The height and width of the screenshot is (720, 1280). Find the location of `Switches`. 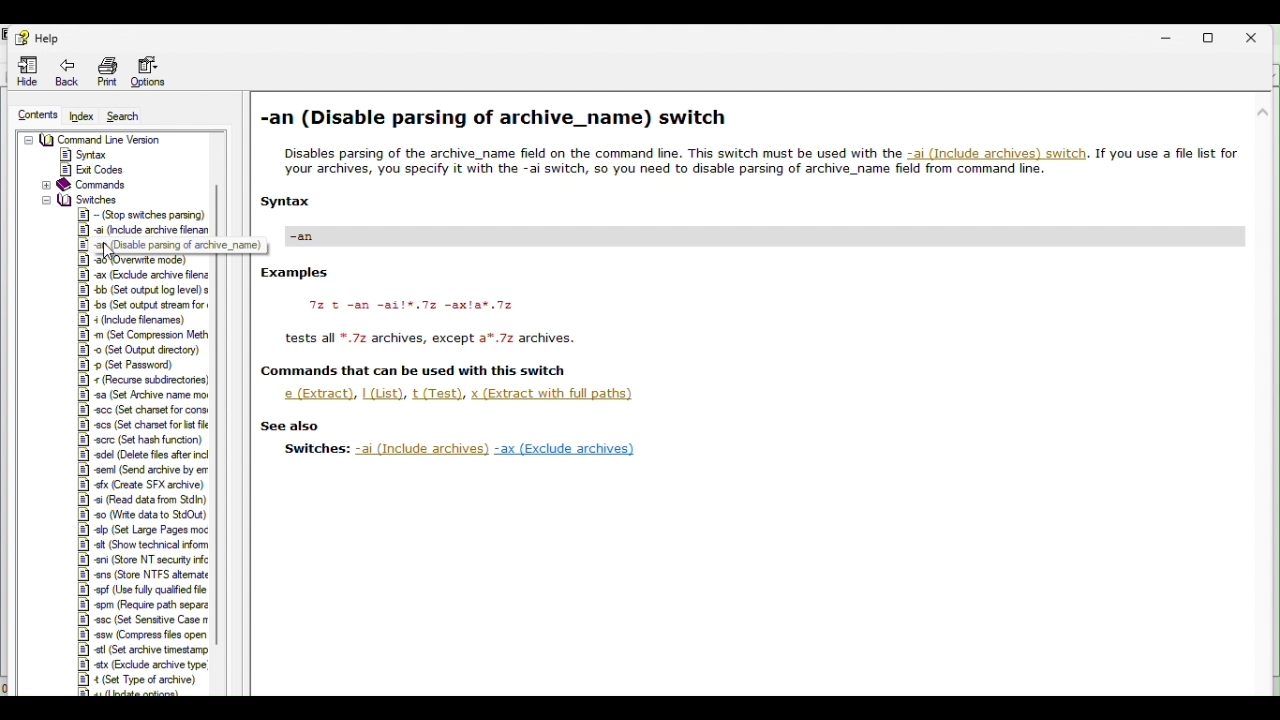

Switches is located at coordinates (317, 449).